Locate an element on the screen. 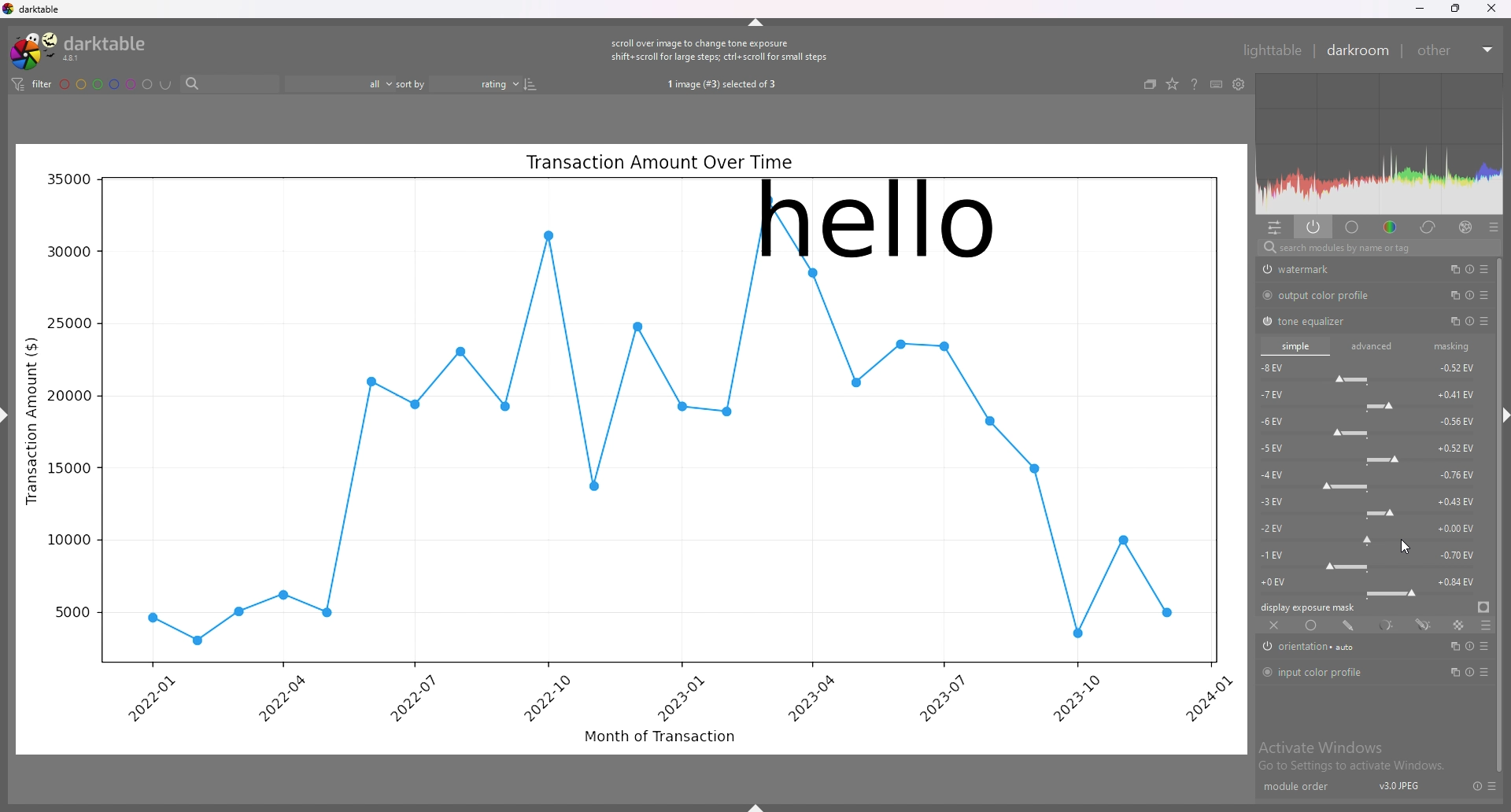 The width and height of the screenshot is (1511, 812). 2022-07 is located at coordinates (410, 697).